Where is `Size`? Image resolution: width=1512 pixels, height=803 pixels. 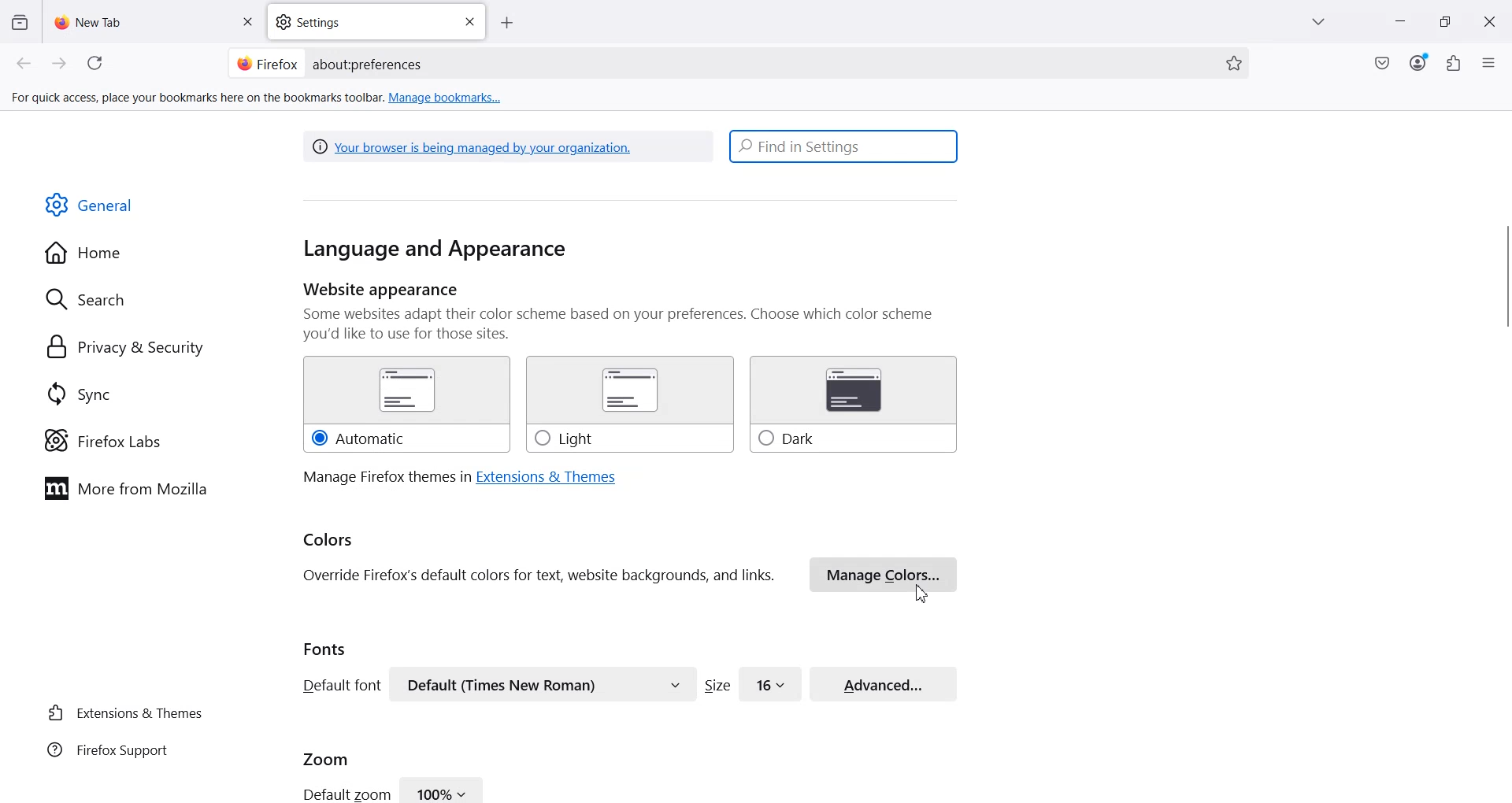
Size is located at coordinates (717, 685).